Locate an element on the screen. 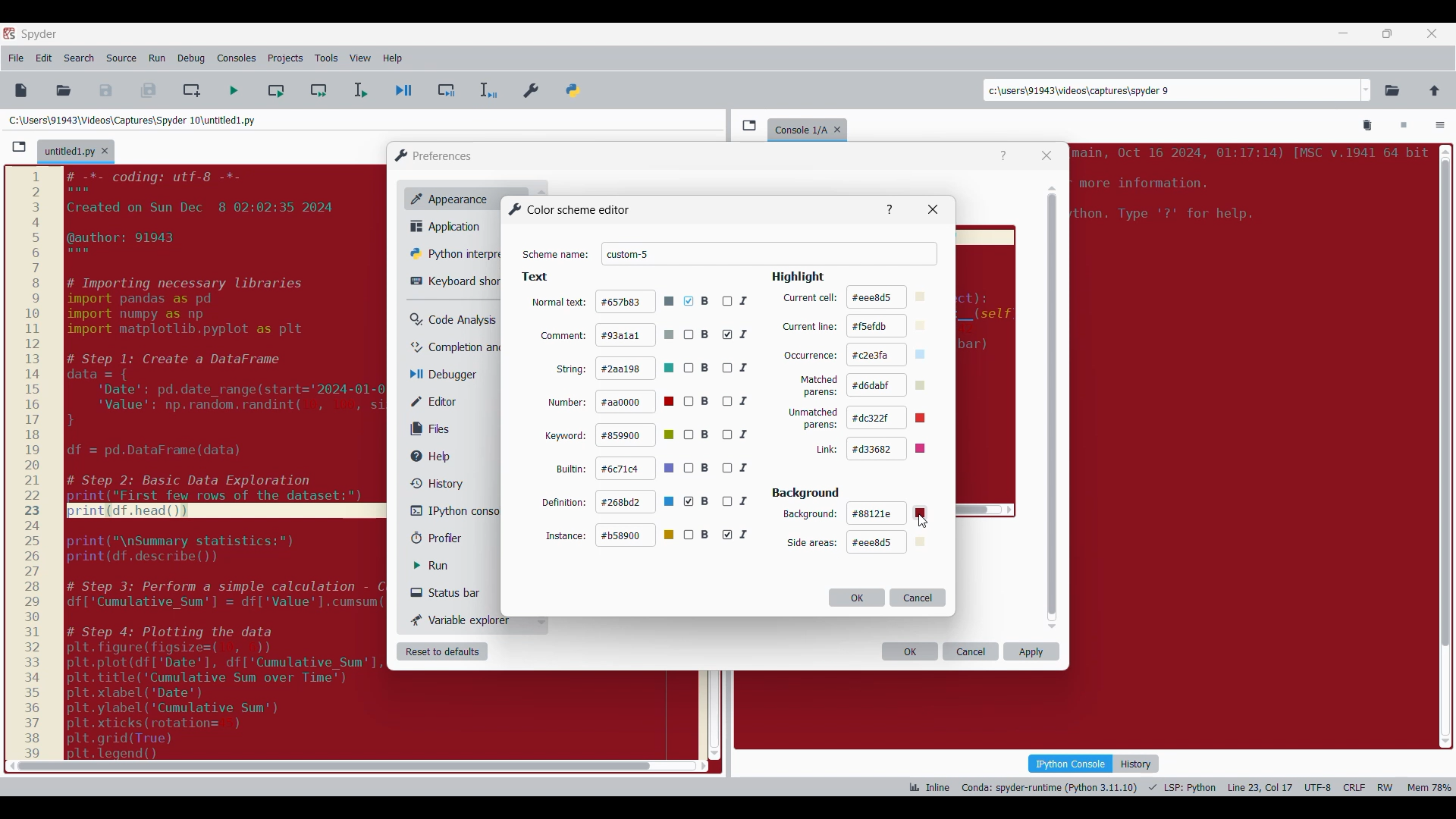 Image resolution: width=1456 pixels, height=819 pixels. Debugger is located at coordinates (450, 375).